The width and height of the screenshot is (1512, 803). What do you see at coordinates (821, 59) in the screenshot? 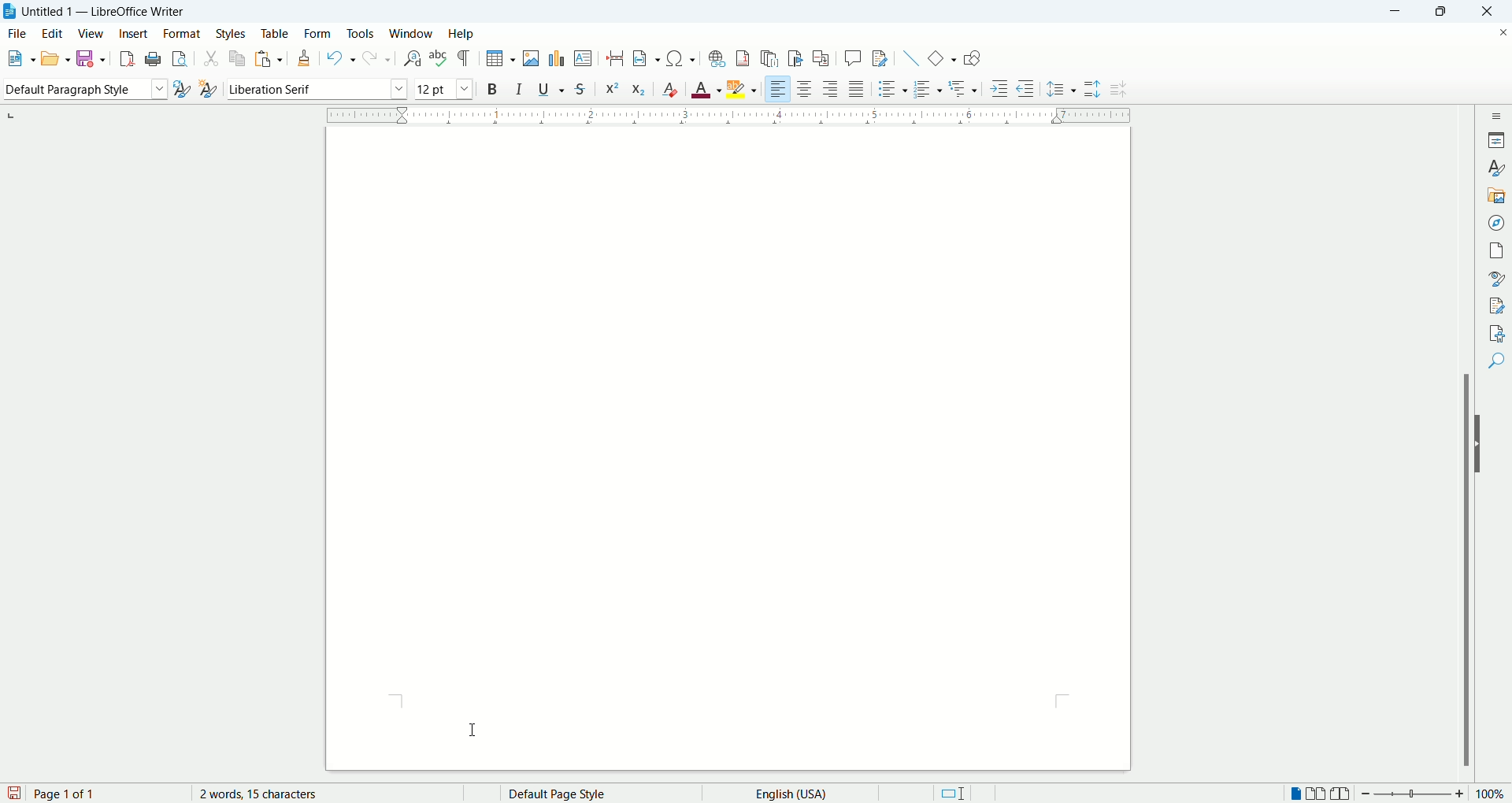
I see `insert cross references` at bounding box center [821, 59].